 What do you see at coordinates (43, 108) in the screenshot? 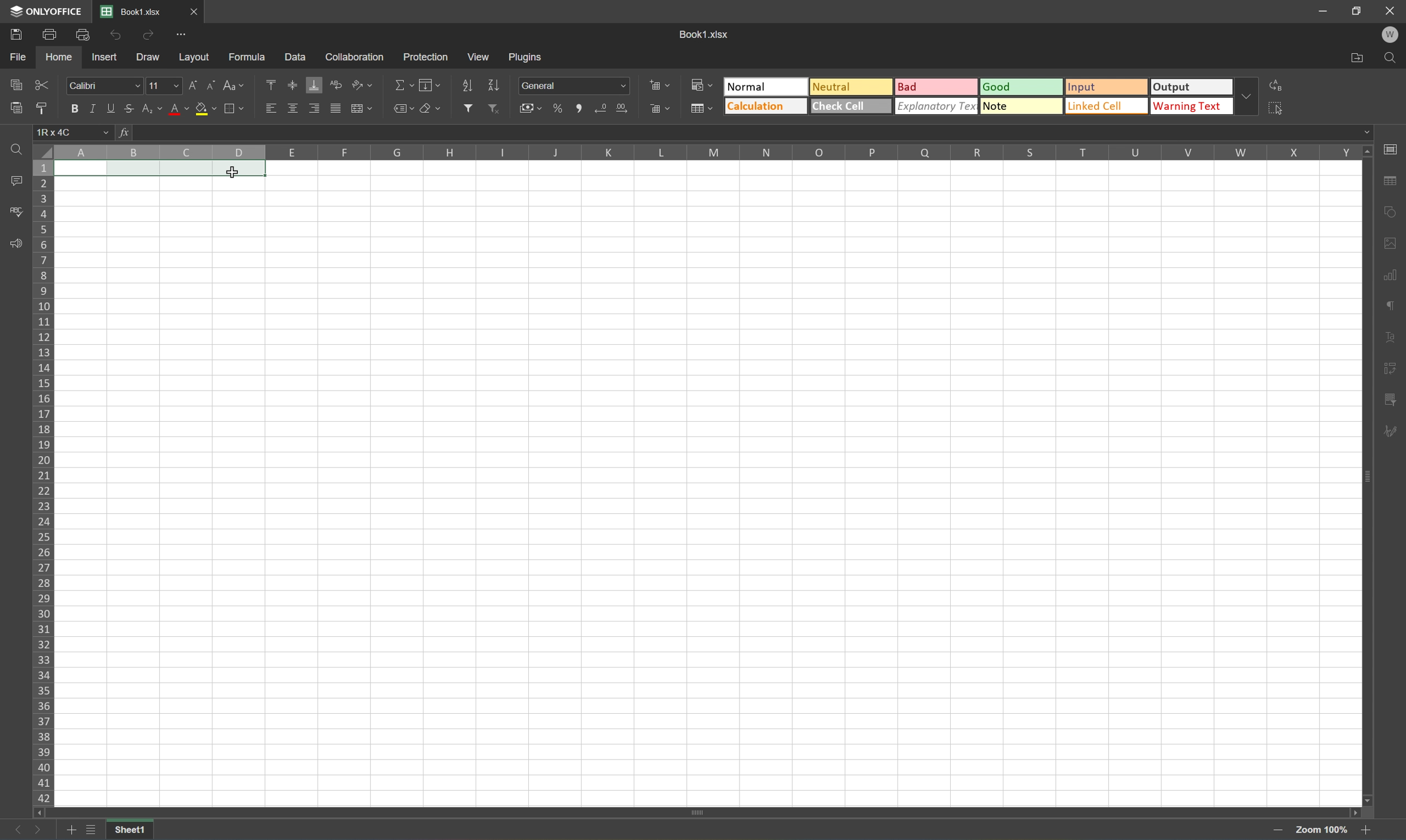
I see `Copy style` at bounding box center [43, 108].